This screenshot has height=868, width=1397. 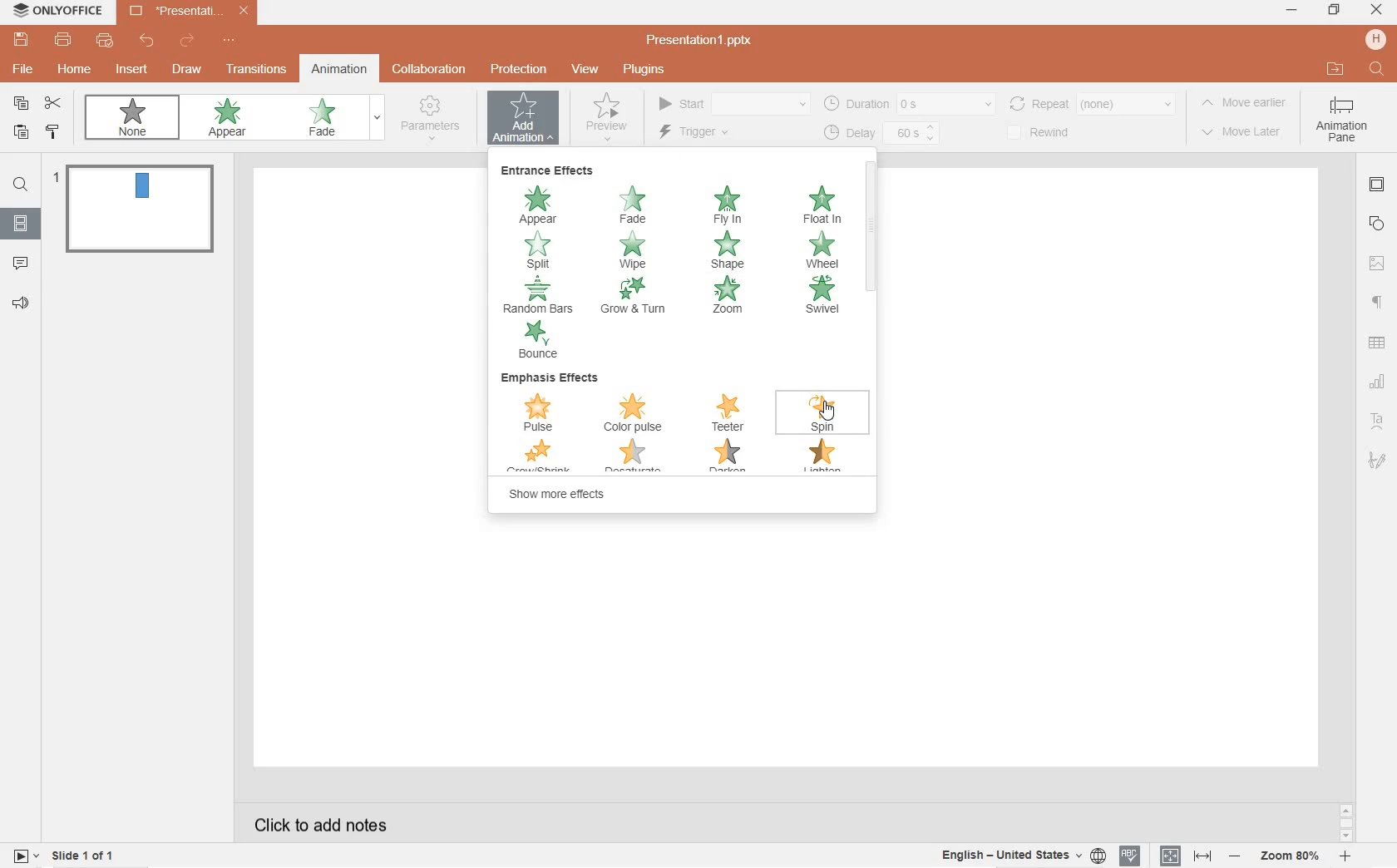 What do you see at coordinates (728, 206) in the screenshot?
I see `fly in` at bounding box center [728, 206].